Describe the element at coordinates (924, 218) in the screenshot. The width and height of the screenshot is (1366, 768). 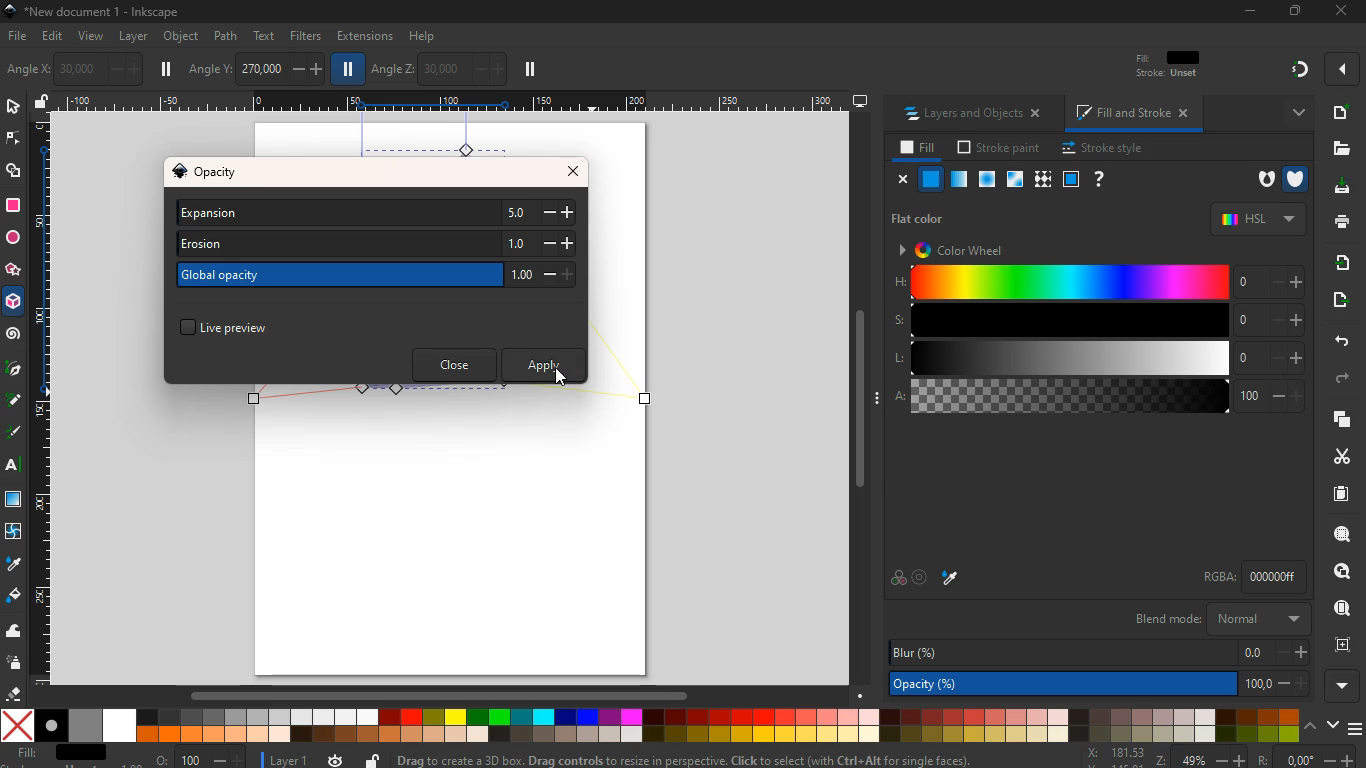
I see `flat color` at that location.